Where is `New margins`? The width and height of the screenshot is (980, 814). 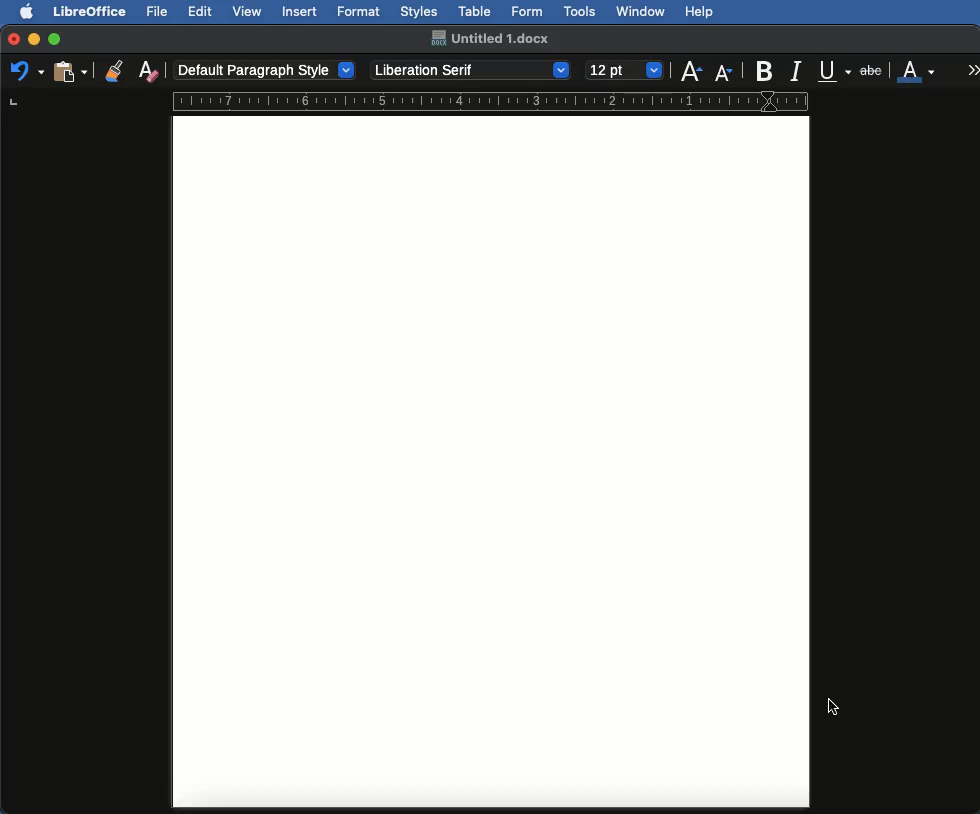 New margins is located at coordinates (491, 464).